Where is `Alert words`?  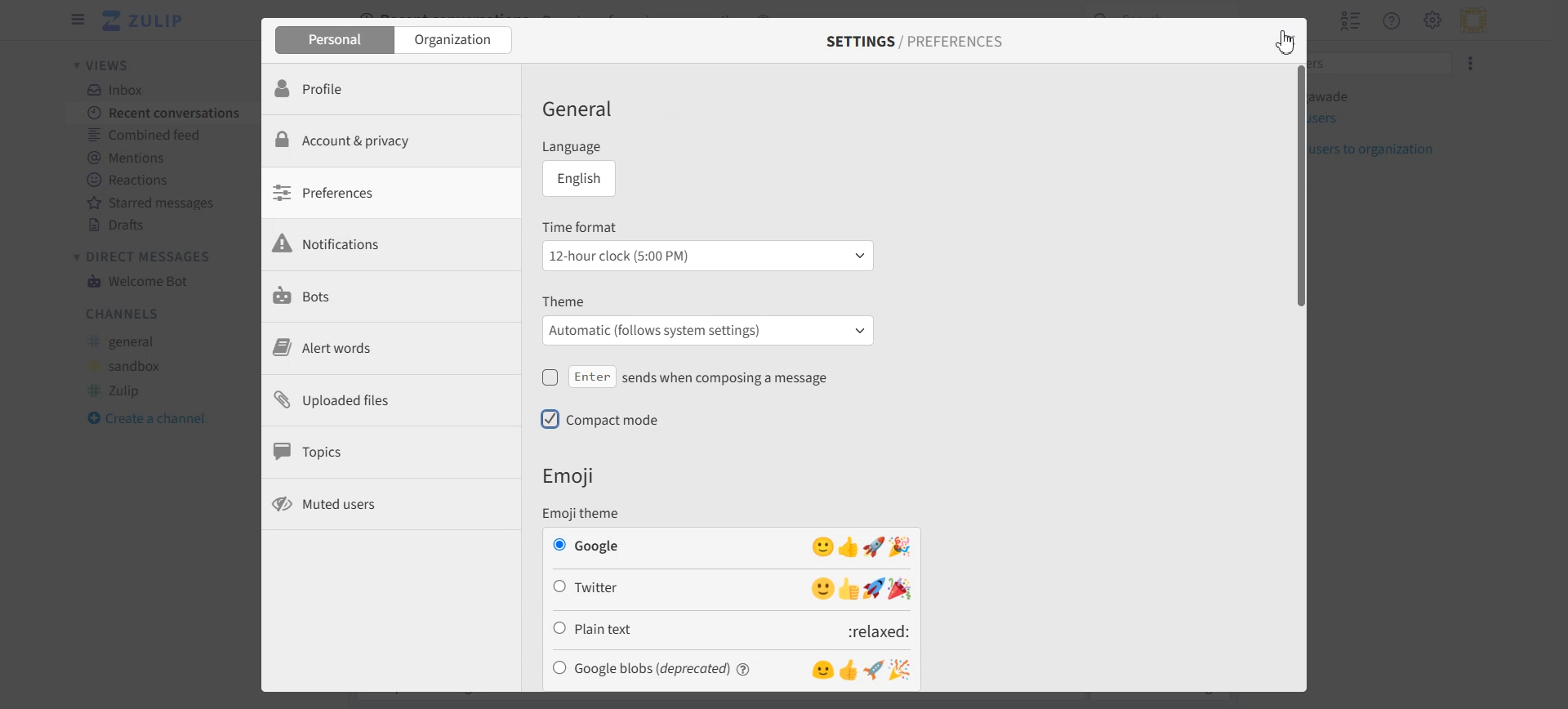 Alert words is located at coordinates (390, 348).